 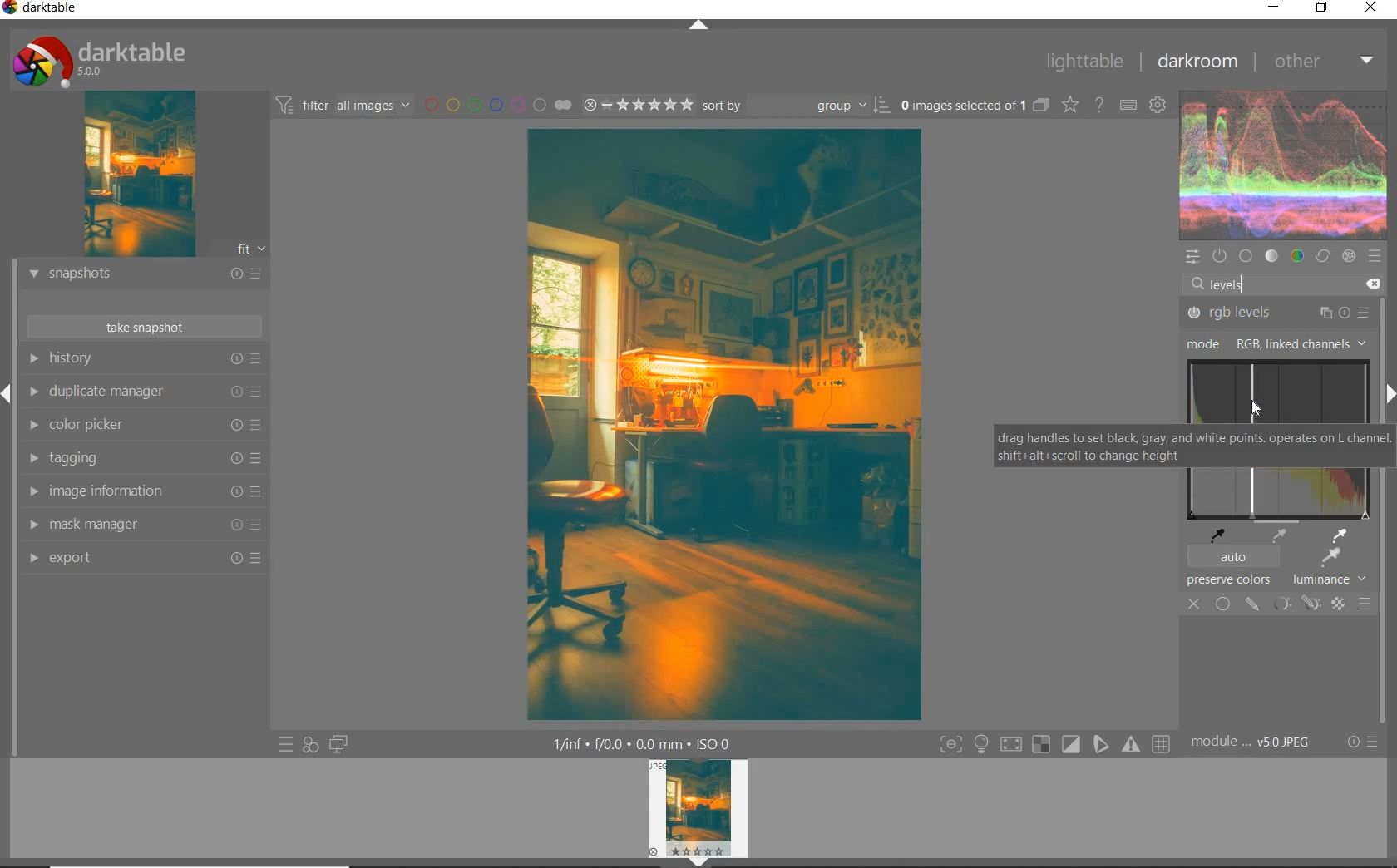 I want to click on pick black point from image, so click(x=1220, y=534).